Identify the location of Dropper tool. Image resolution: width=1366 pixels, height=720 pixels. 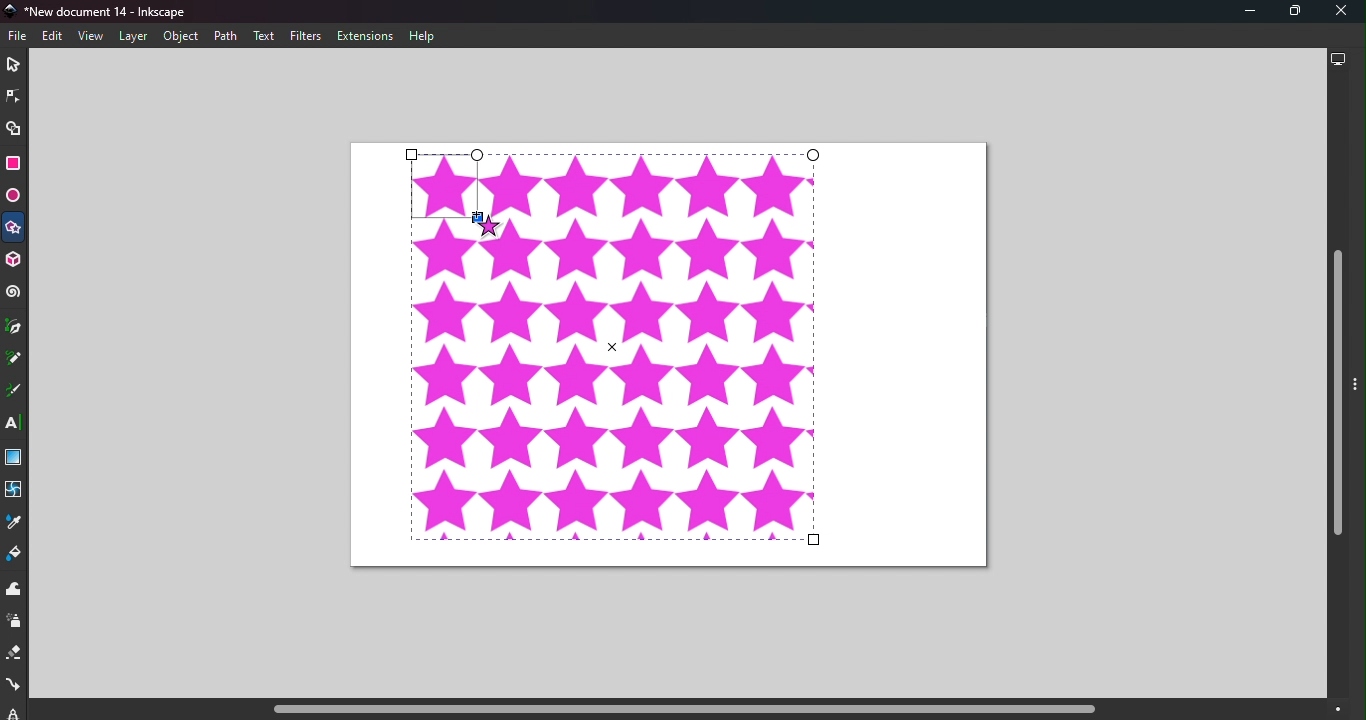
(12, 526).